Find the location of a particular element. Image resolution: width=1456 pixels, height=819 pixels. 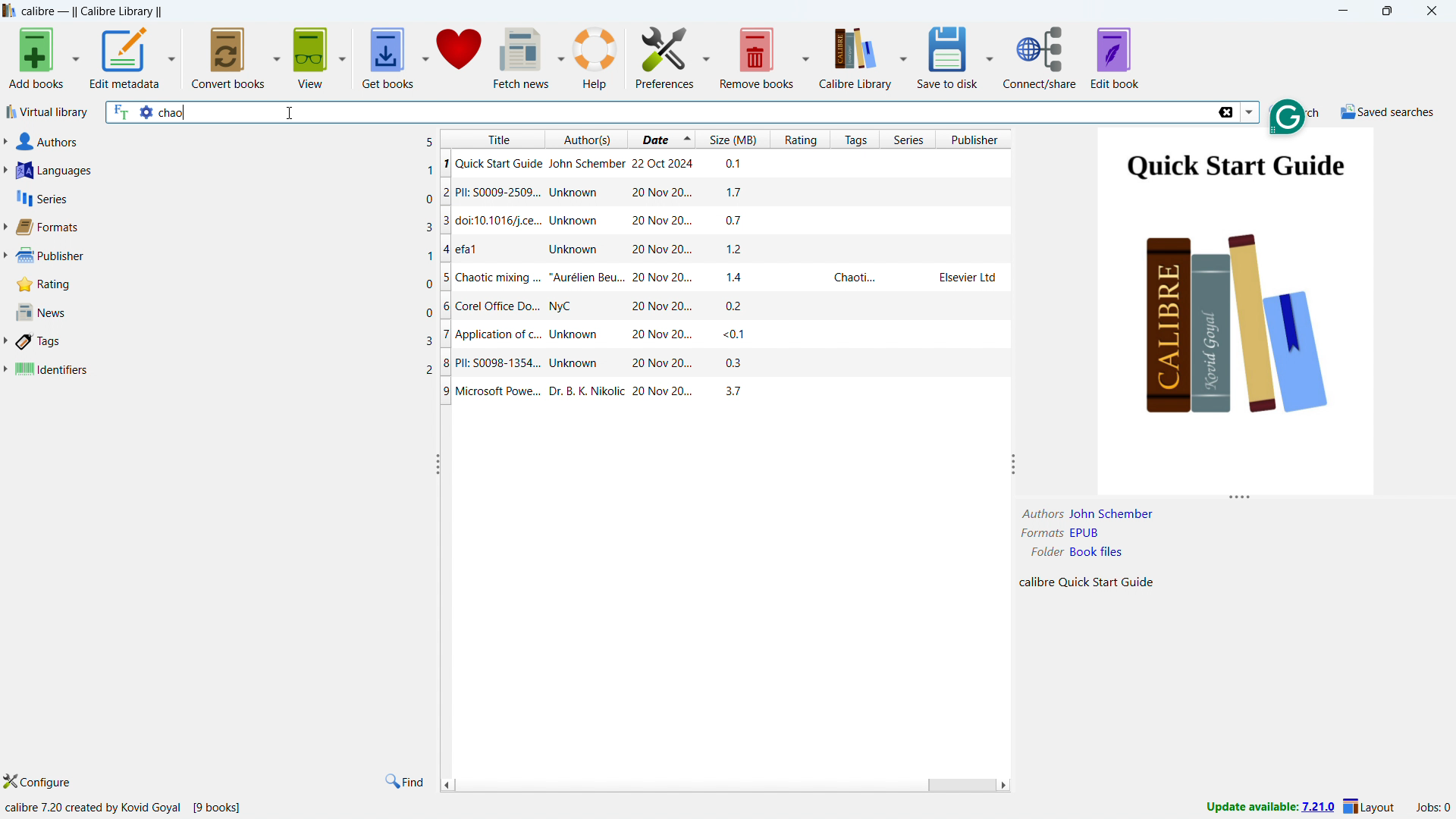

sort by rating is located at coordinates (799, 139).